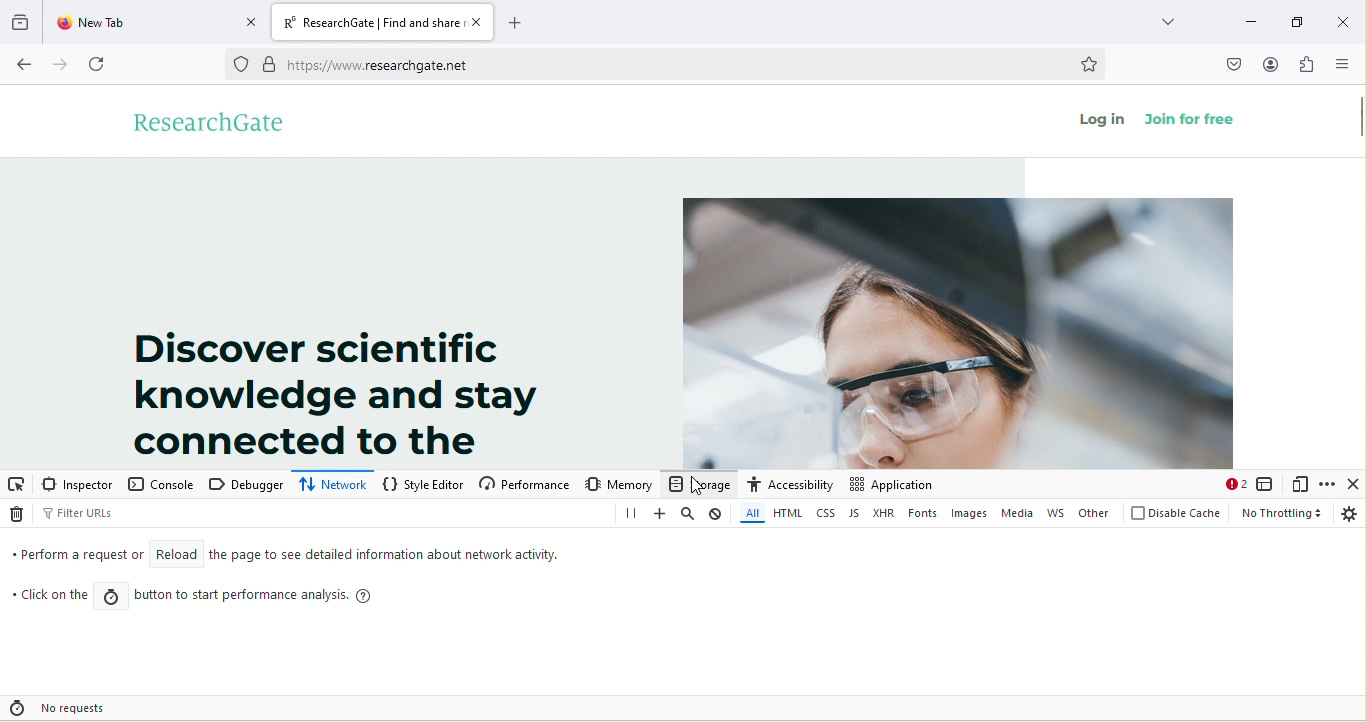 The width and height of the screenshot is (1366, 722). Describe the element at coordinates (924, 514) in the screenshot. I see `fonts` at that location.